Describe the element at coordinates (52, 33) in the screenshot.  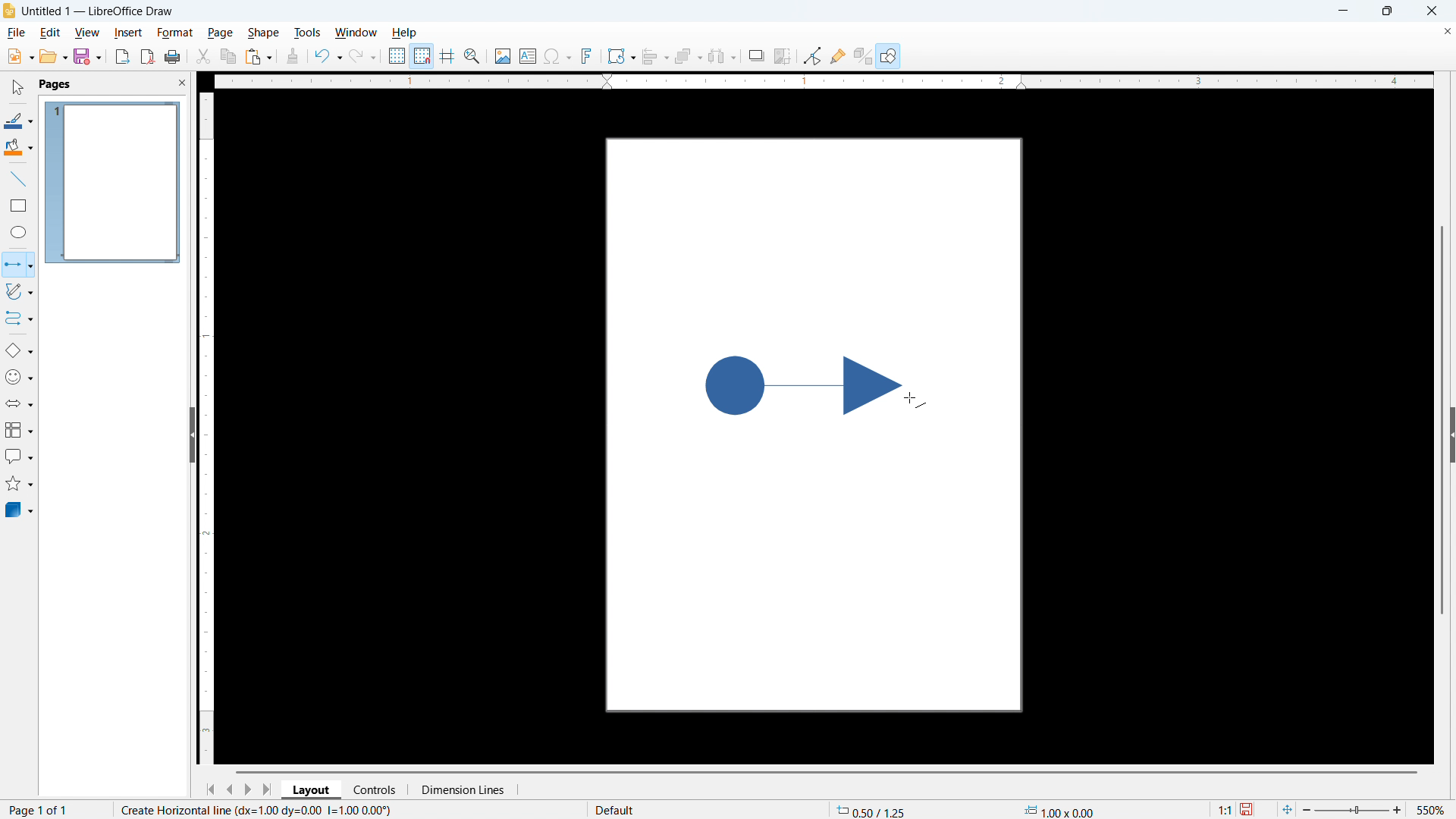
I see `Edit ` at that location.